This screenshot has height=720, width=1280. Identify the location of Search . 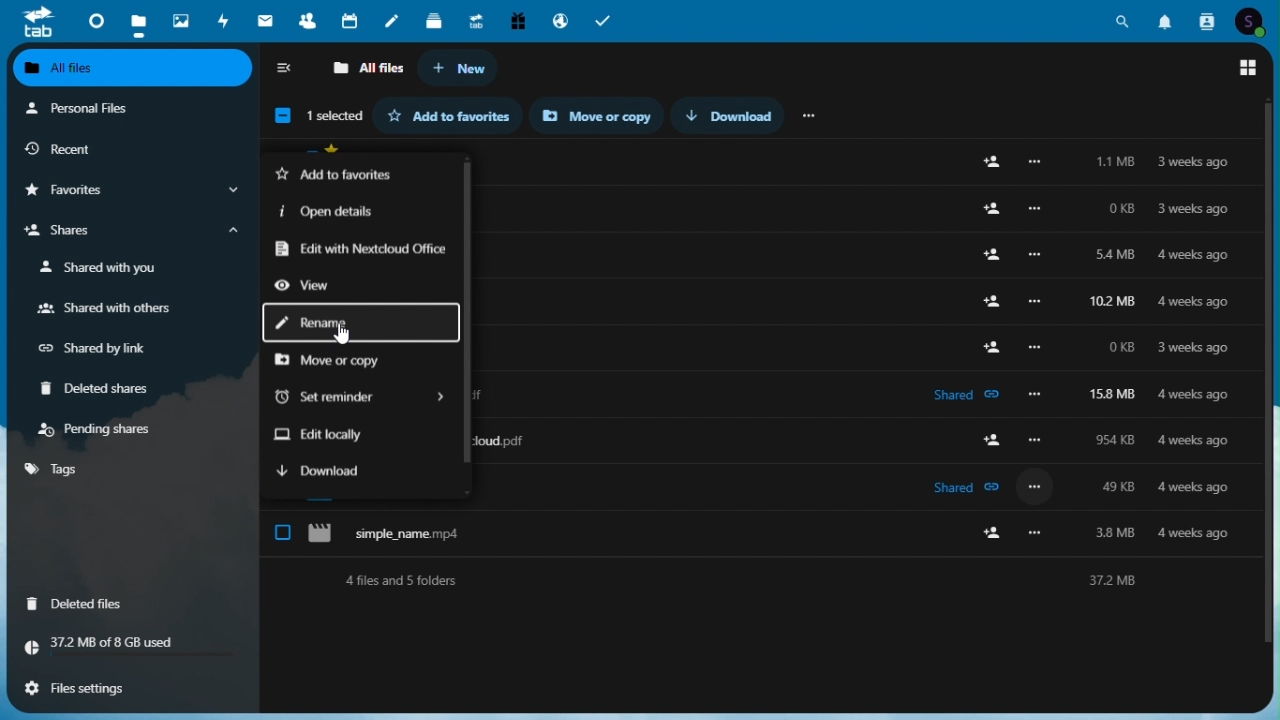
(1123, 18).